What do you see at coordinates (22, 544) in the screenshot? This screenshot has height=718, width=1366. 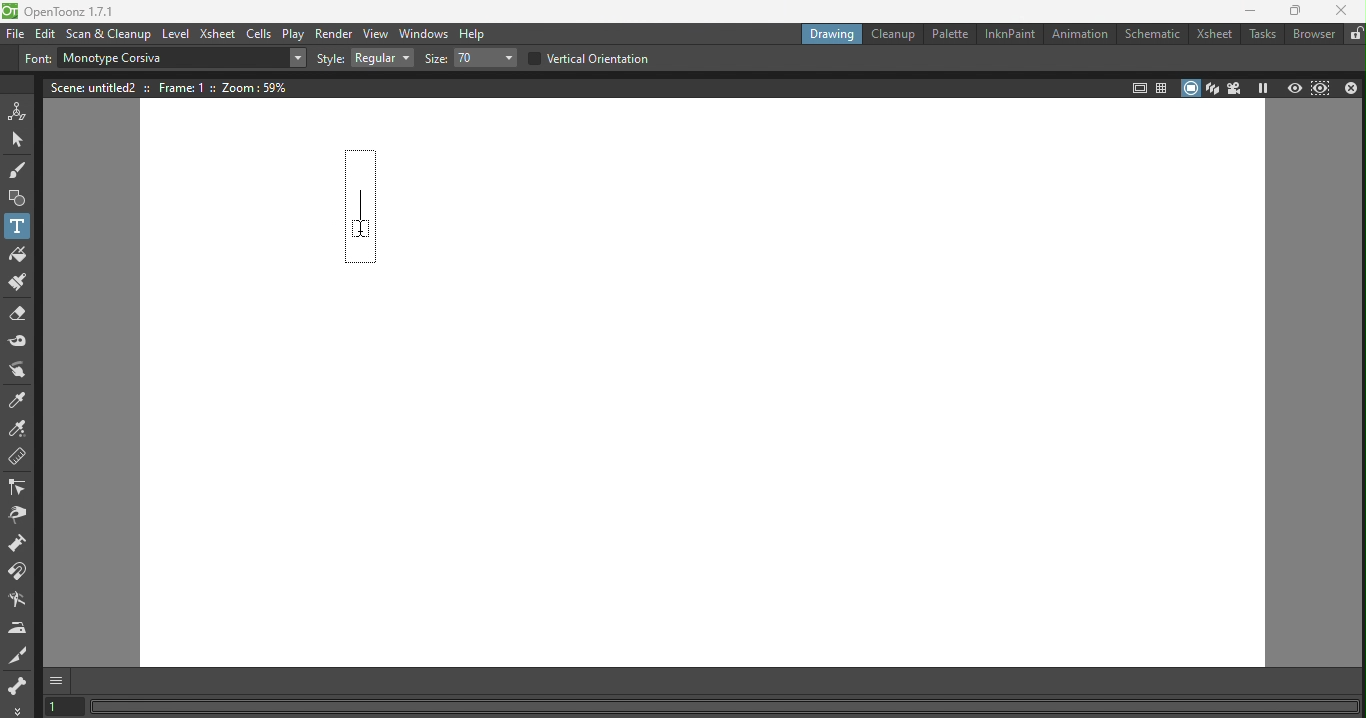 I see `Pump tool` at bounding box center [22, 544].